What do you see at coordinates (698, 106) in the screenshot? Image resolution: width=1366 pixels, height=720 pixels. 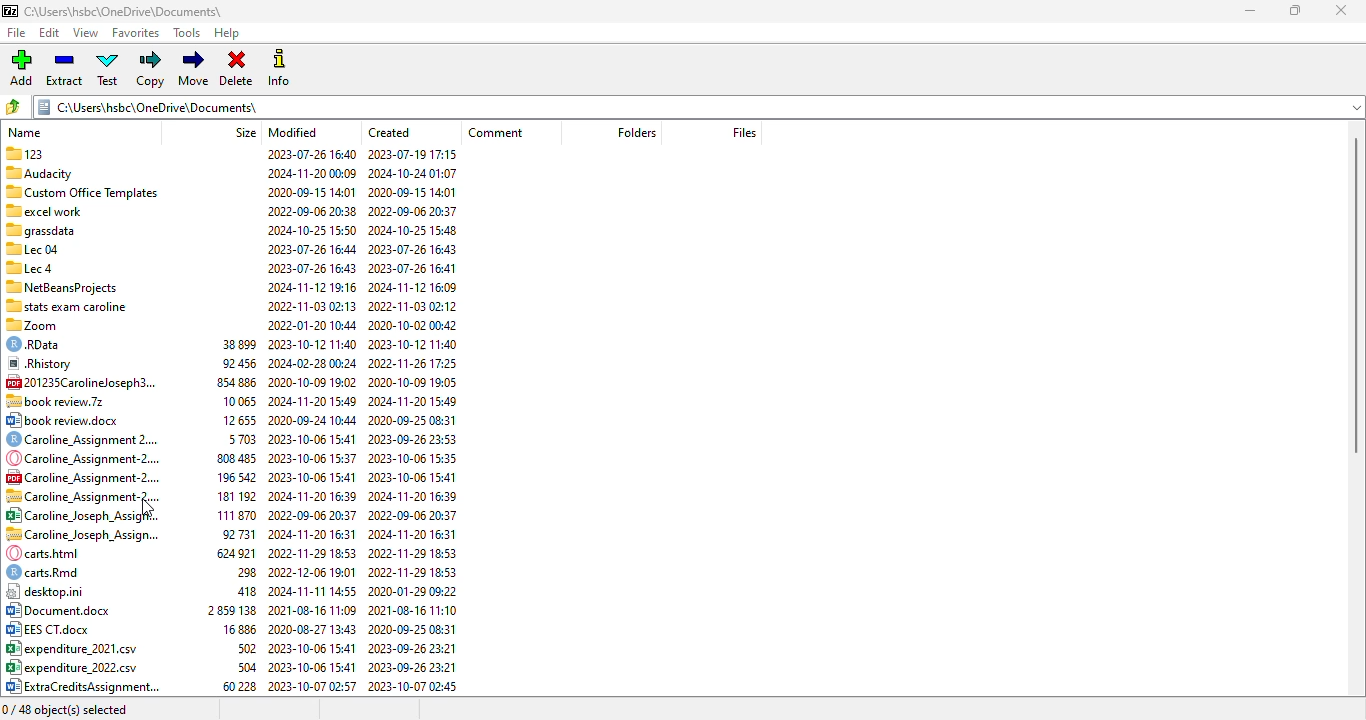 I see `folder` at bounding box center [698, 106].